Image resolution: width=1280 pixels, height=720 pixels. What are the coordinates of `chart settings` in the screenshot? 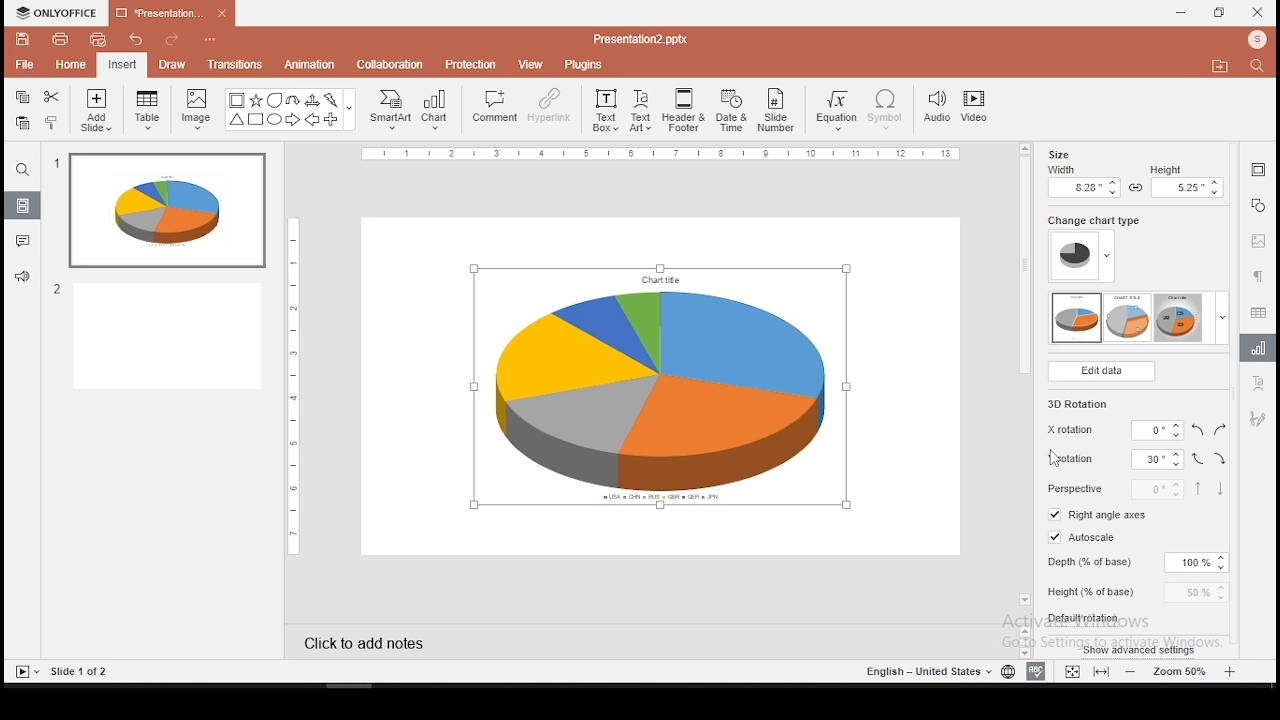 It's located at (1258, 348).